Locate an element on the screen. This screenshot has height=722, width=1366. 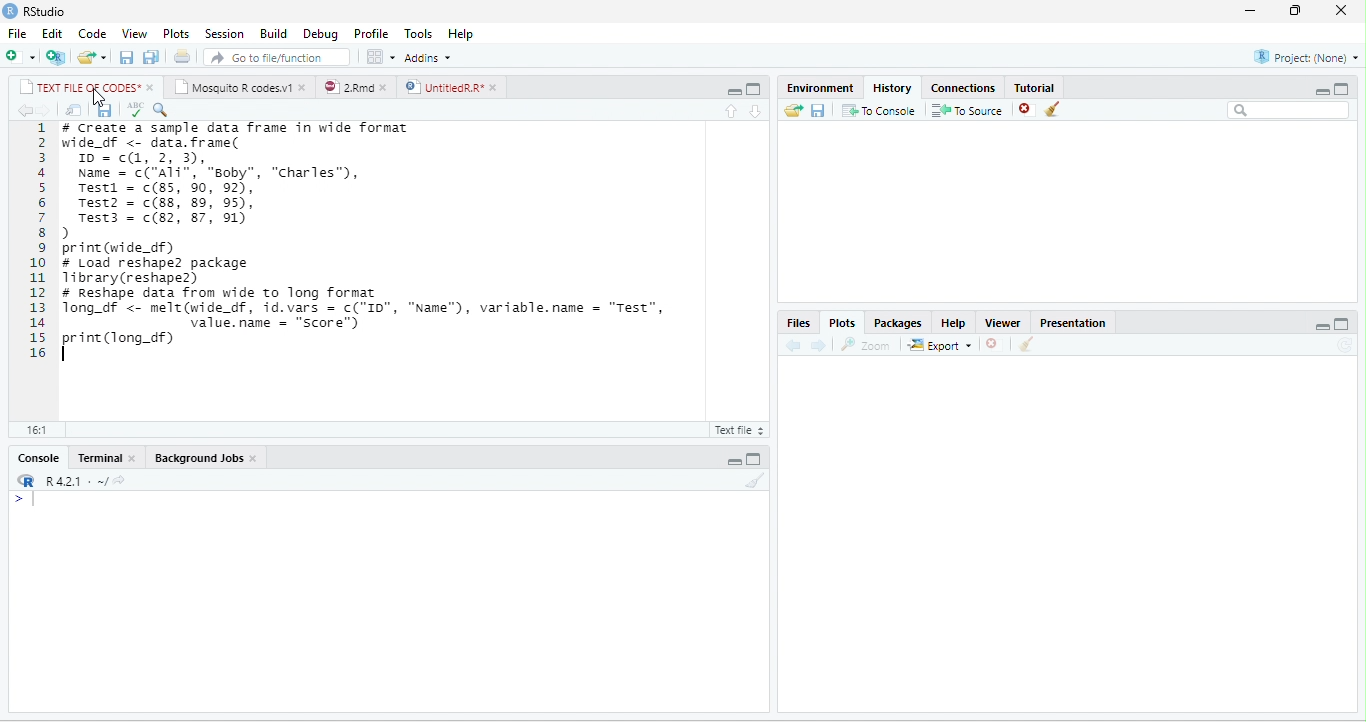
clear is located at coordinates (1053, 109).